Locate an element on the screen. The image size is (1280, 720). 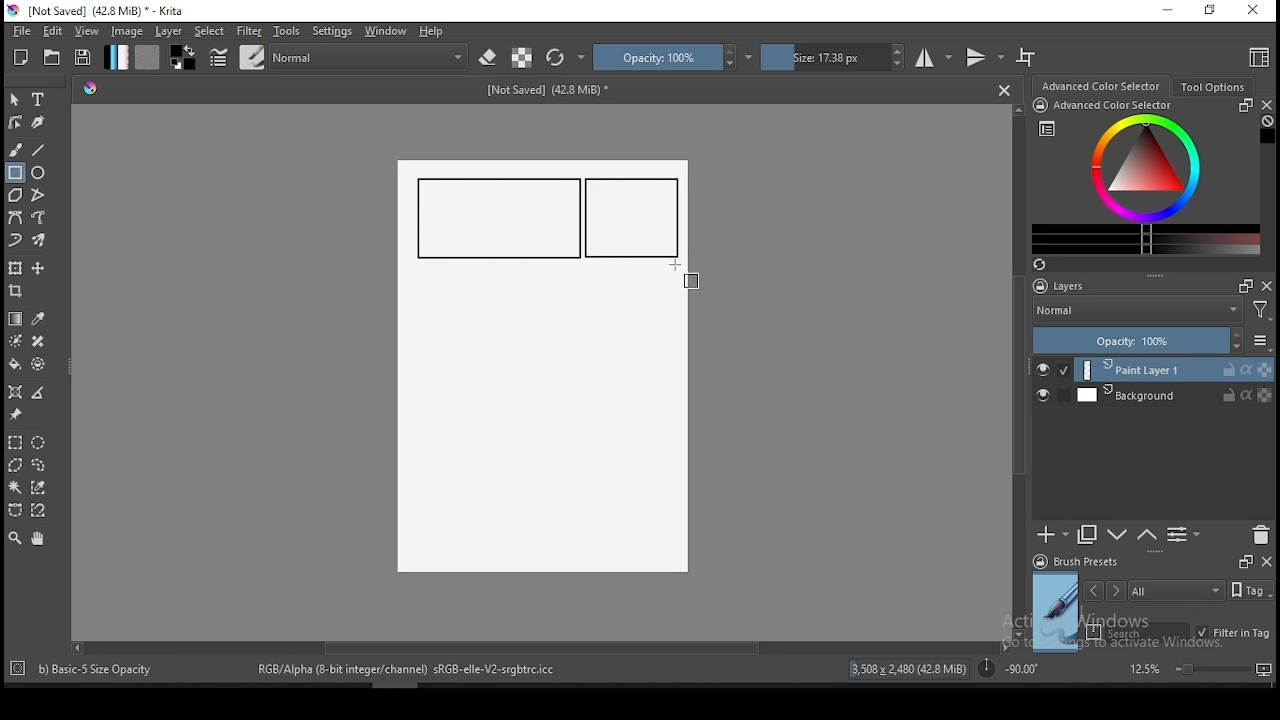
multibrush tool is located at coordinates (40, 242).